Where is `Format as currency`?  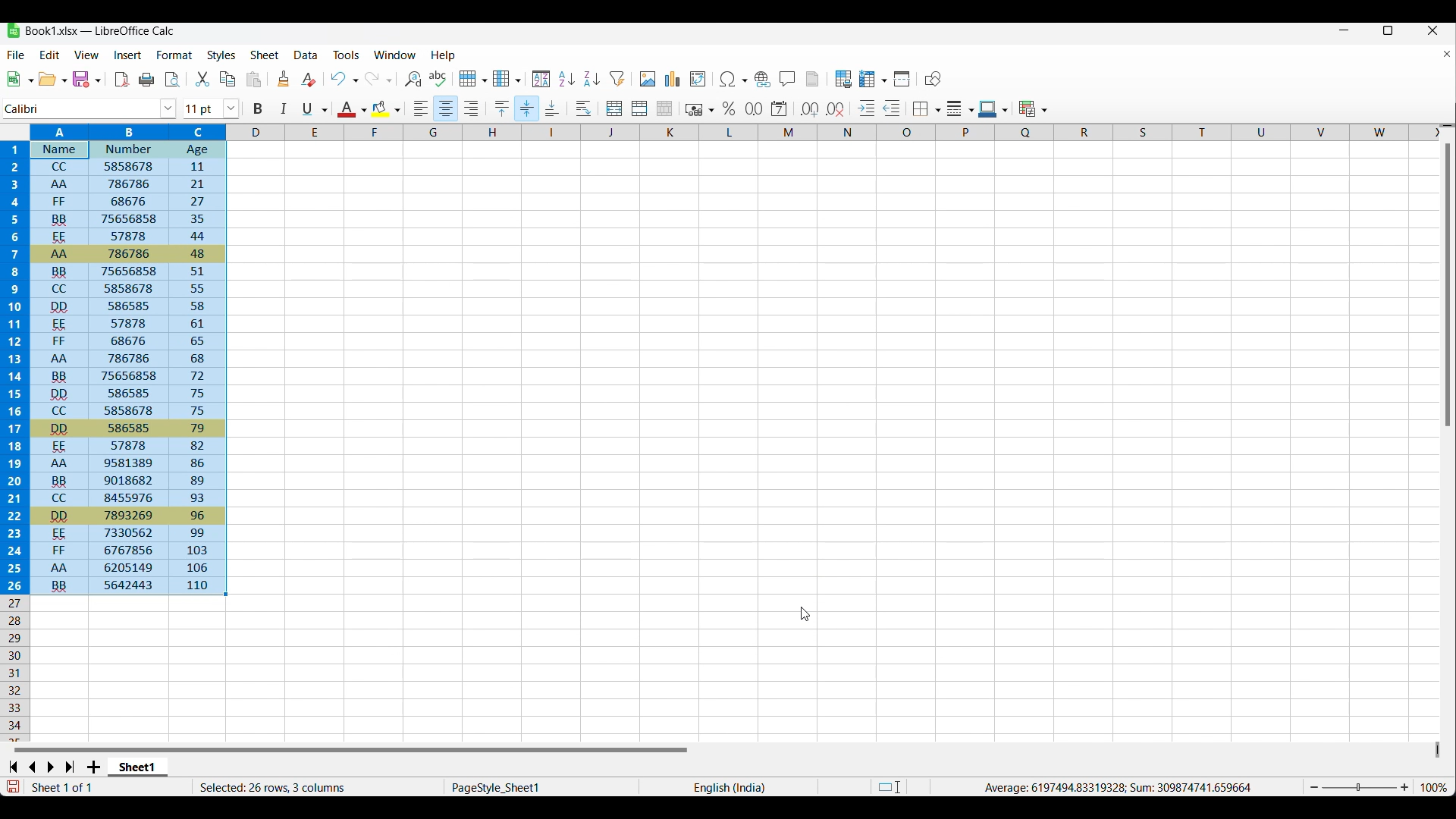
Format as currency is located at coordinates (698, 109).